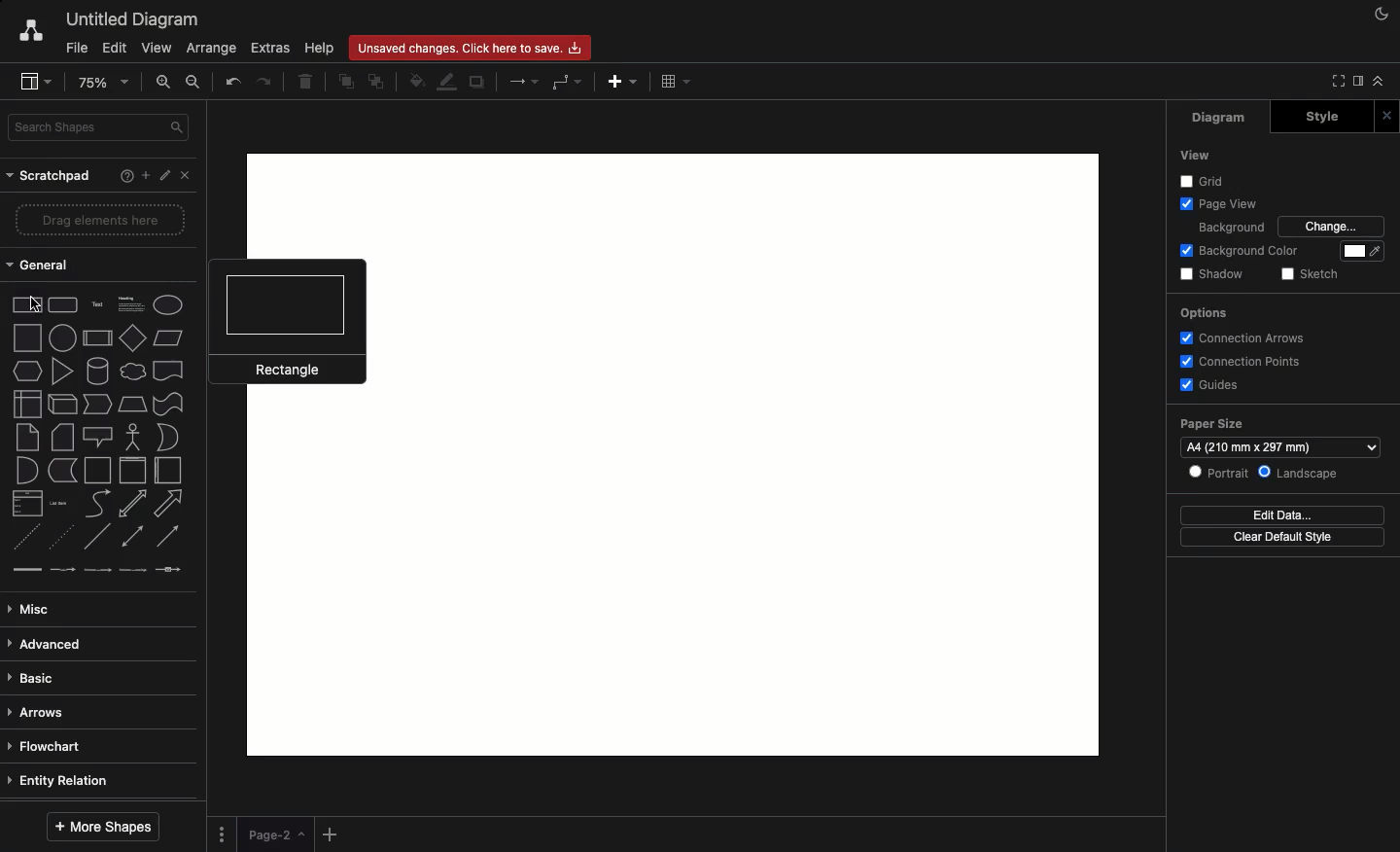 The width and height of the screenshot is (1400, 852). I want to click on Redo, so click(266, 85).